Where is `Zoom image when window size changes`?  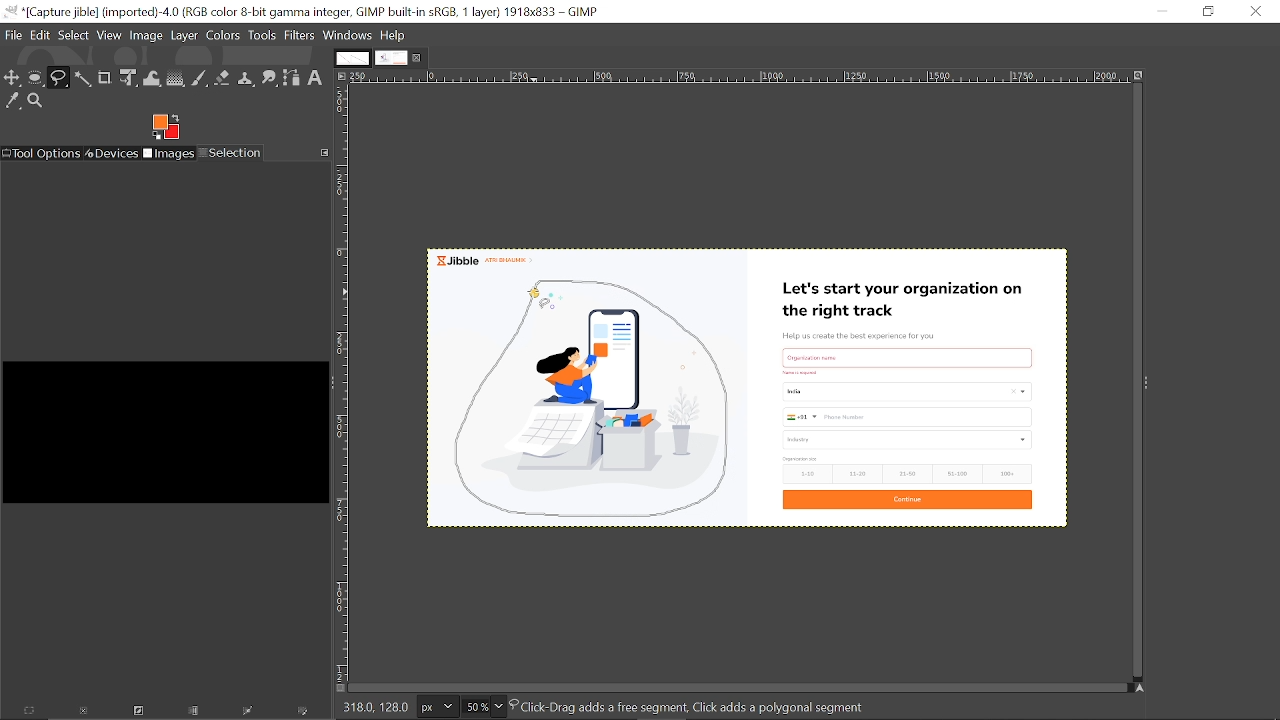 Zoom image when window size changes is located at coordinates (1141, 79).